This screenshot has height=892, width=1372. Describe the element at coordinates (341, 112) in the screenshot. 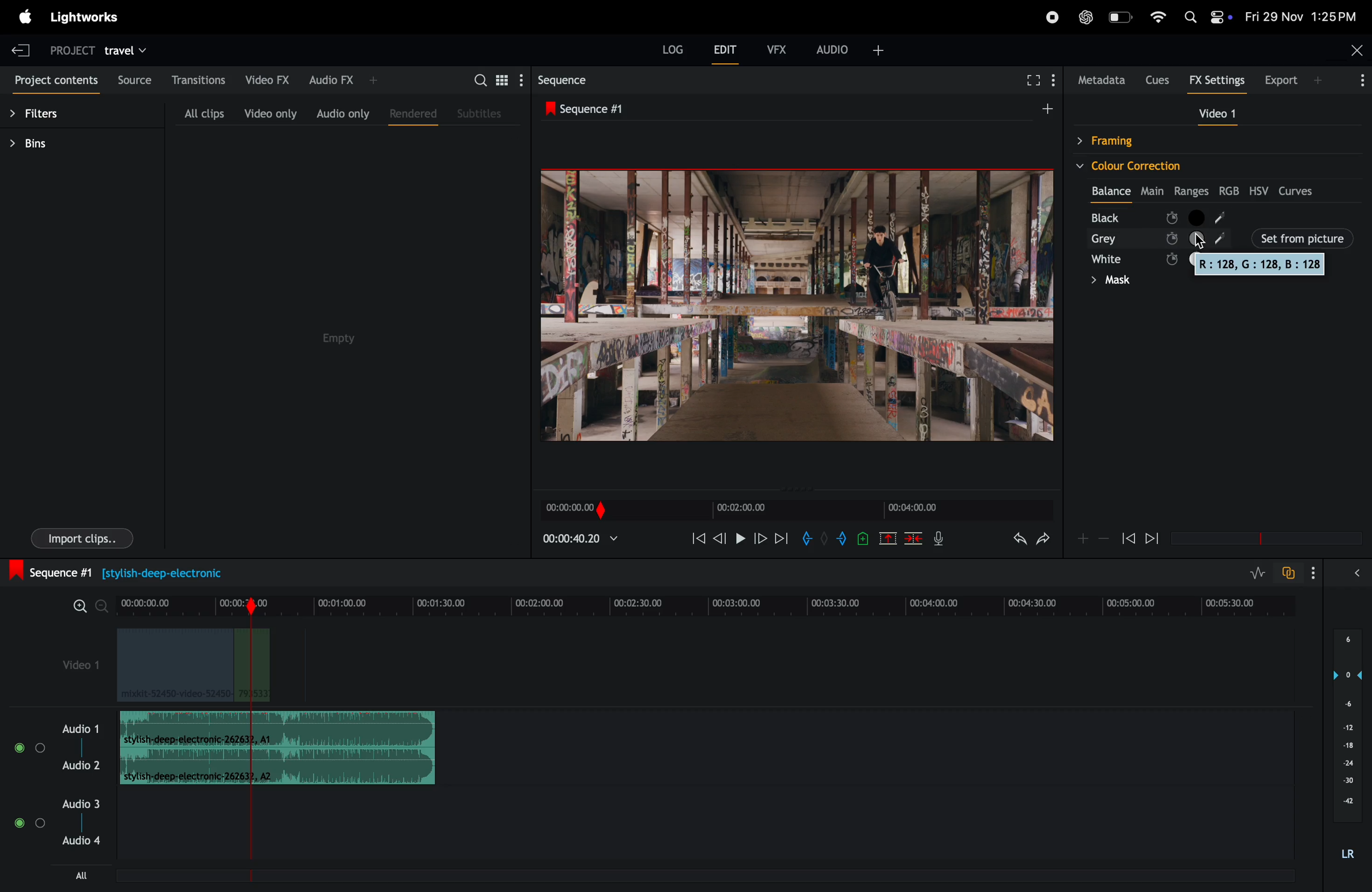

I see `audio only` at that location.